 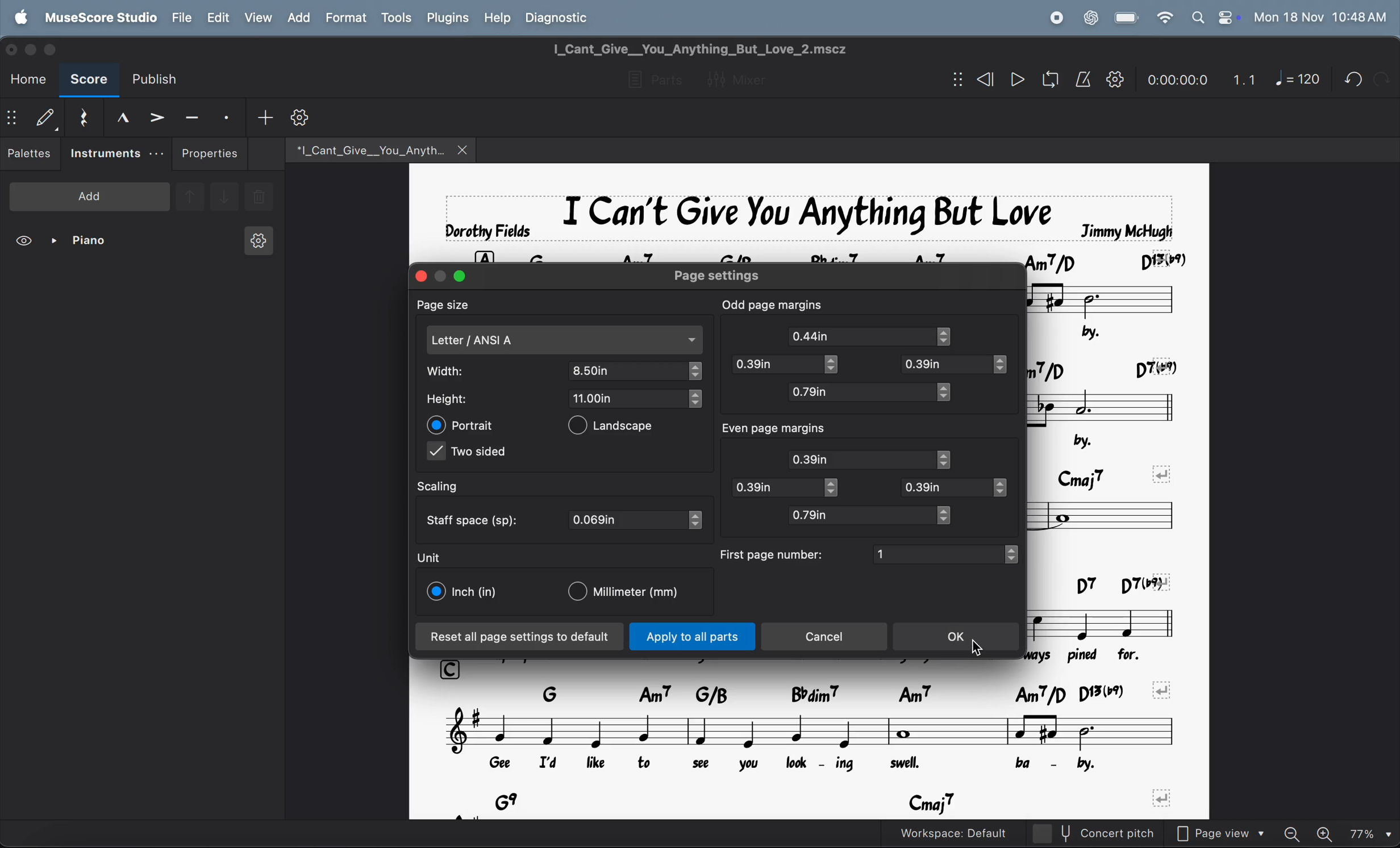 What do you see at coordinates (773, 365) in the screenshot?
I see `0.39 in` at bounding box center [773, 365].